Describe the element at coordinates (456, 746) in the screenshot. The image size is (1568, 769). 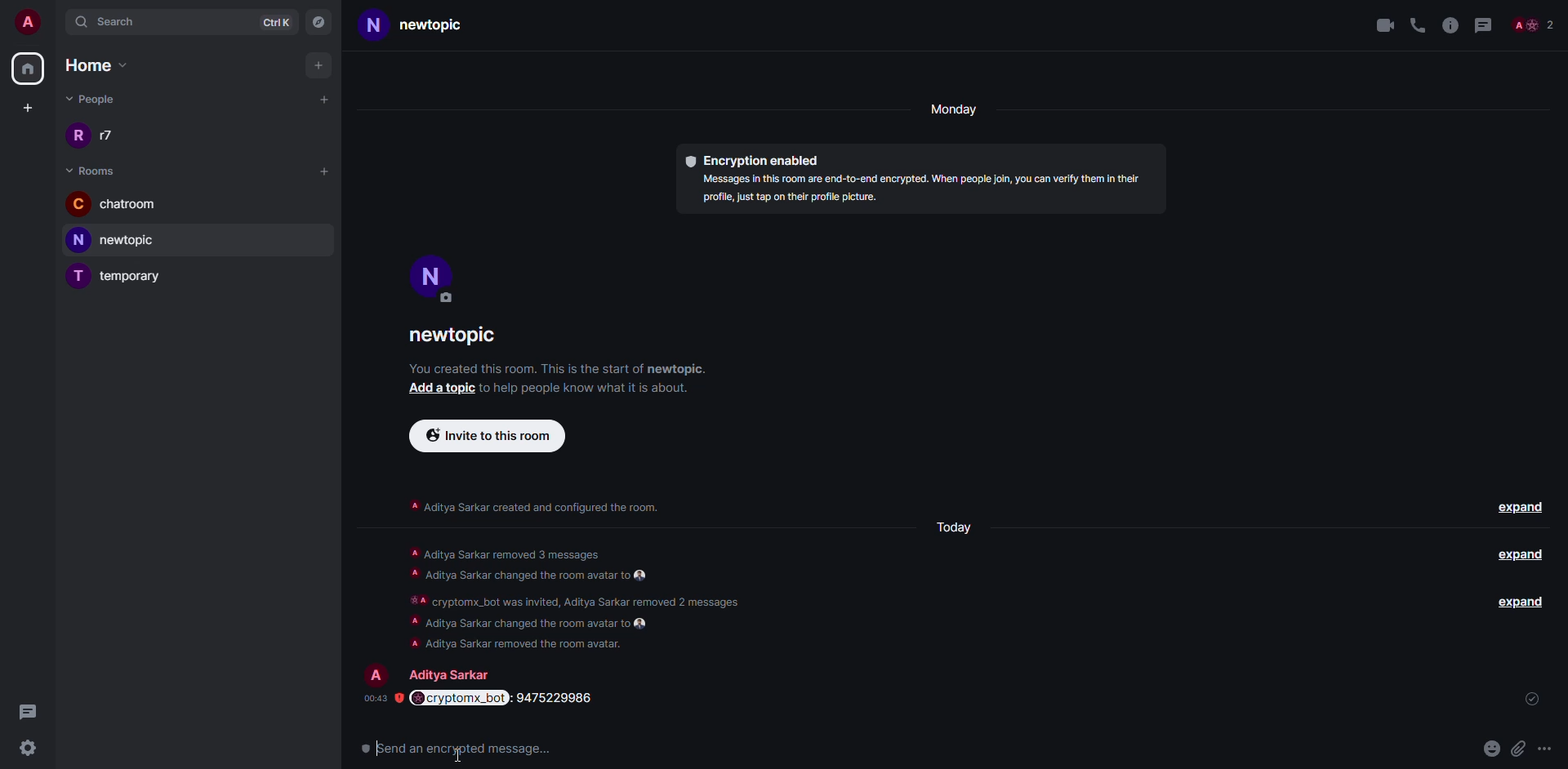
I see `cryptomx_bot` at that location.